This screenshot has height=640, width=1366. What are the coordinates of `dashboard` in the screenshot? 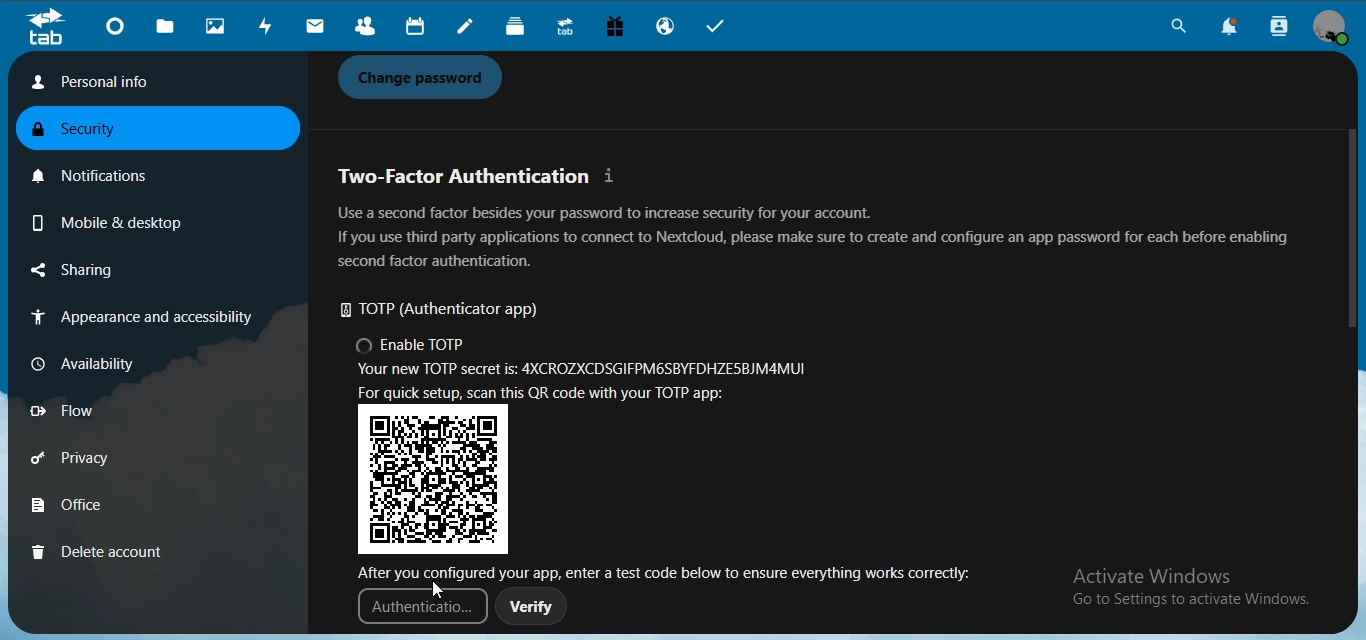 It's located at (118, 29).